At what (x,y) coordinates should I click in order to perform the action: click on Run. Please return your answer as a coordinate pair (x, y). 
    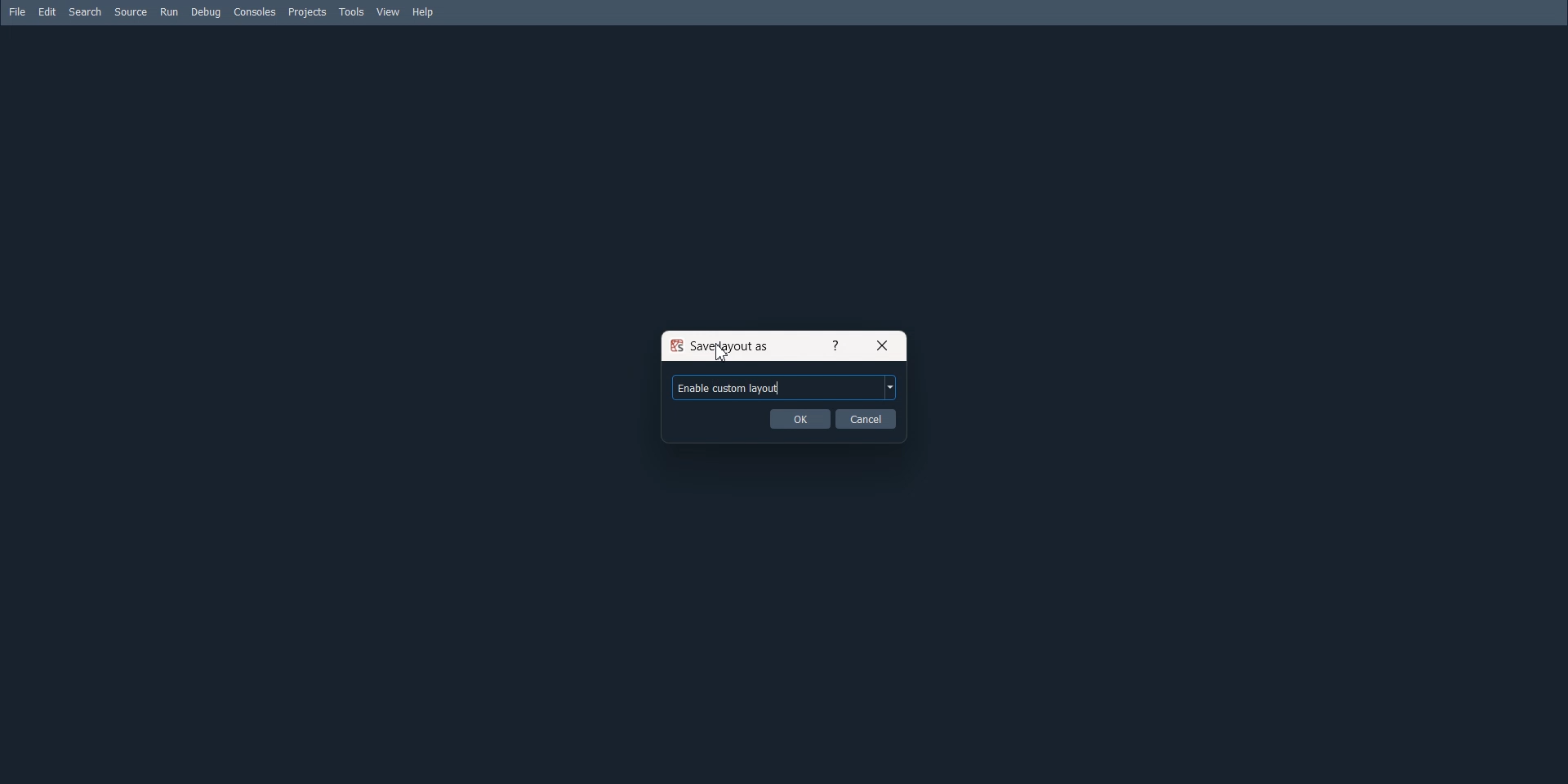
    Looking at the image, I should click on (169, 11).